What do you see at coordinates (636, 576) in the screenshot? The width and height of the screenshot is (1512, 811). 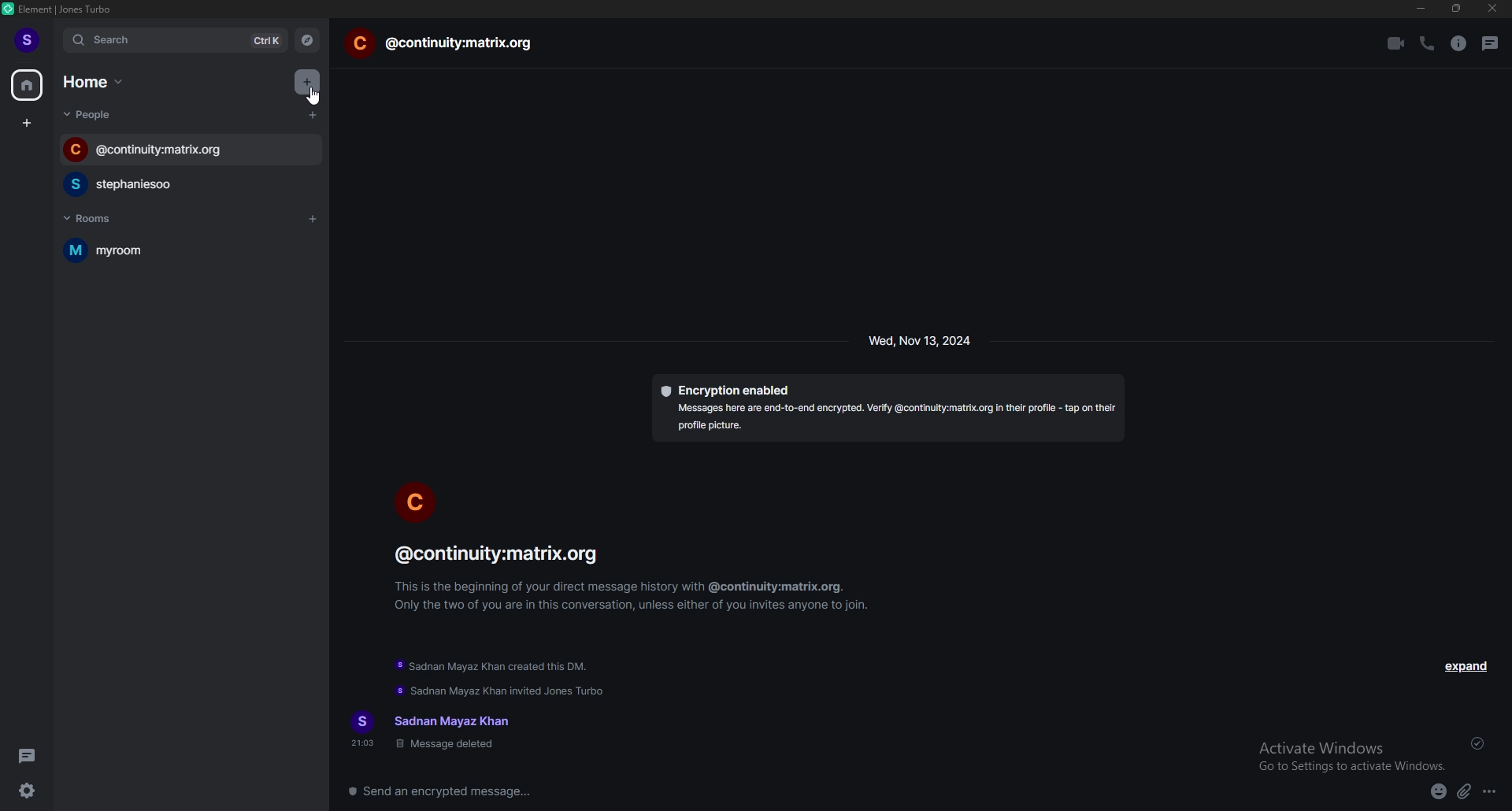 I see `info` at bounding box center [636, 576].